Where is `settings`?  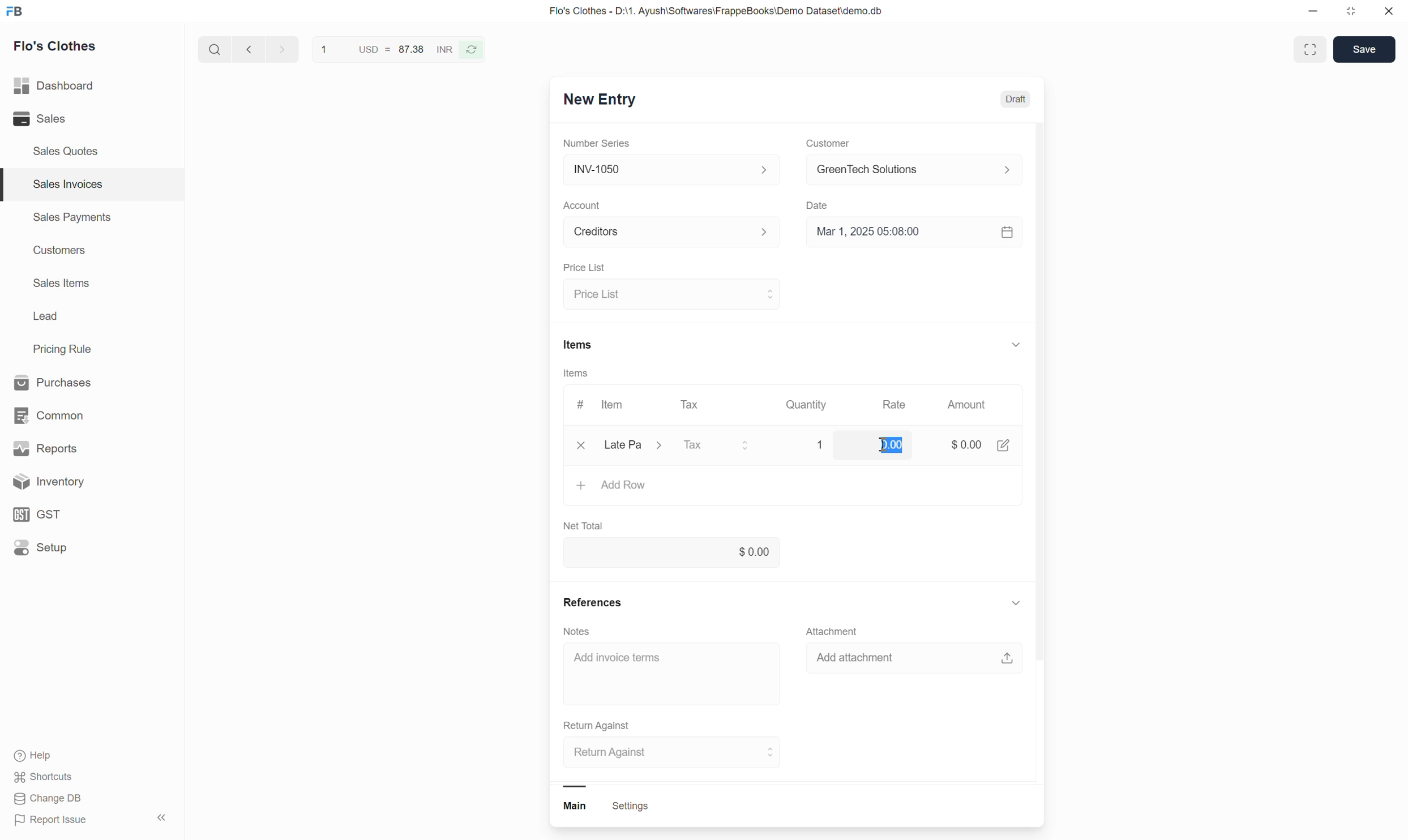 settings is located at coordinates (631, 808).